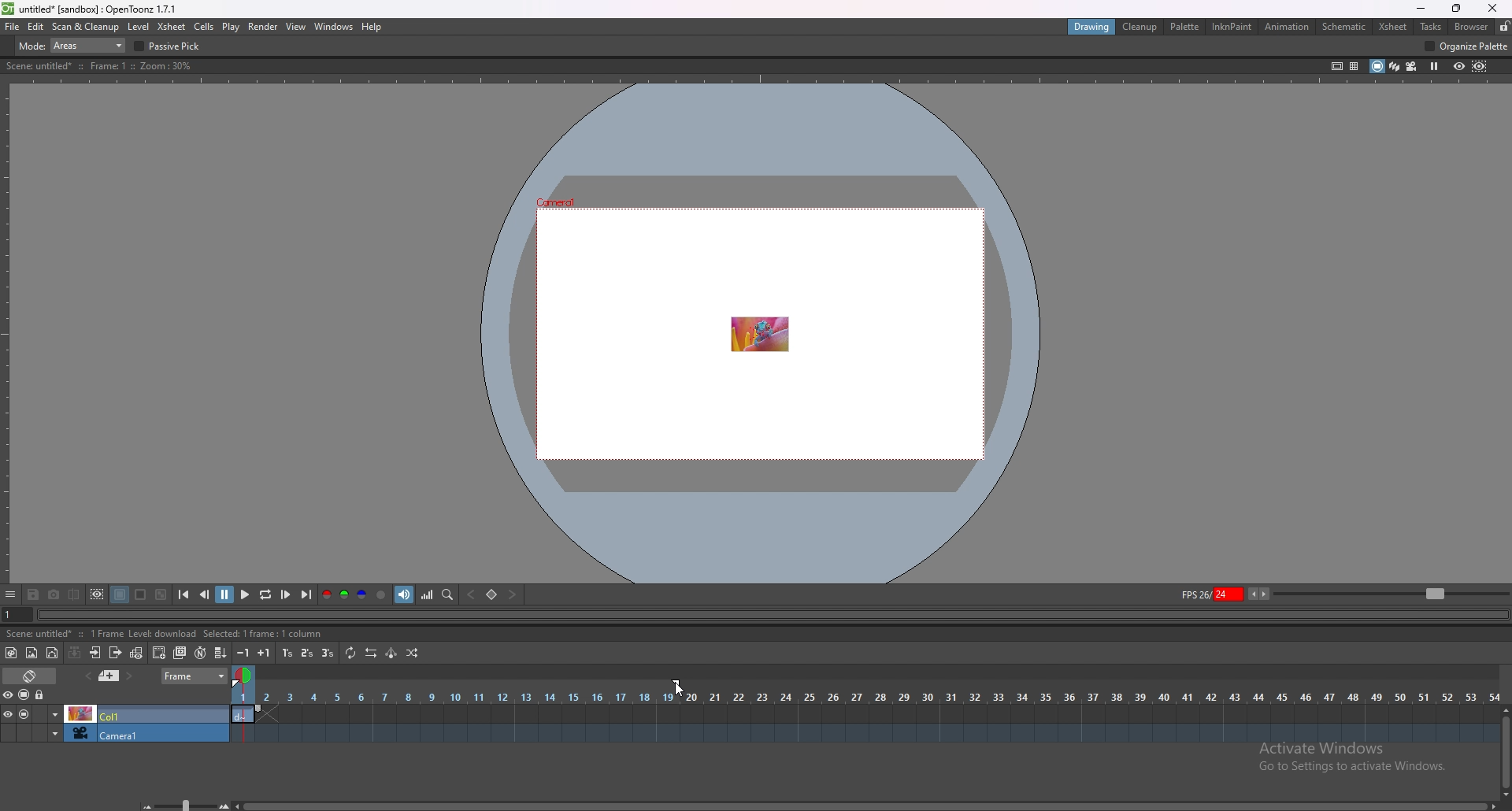 The width and height of the screenshot is (1512, 811). Describe the element at coordinates (142, 595) in the screenshot. I see `white background` at that location.